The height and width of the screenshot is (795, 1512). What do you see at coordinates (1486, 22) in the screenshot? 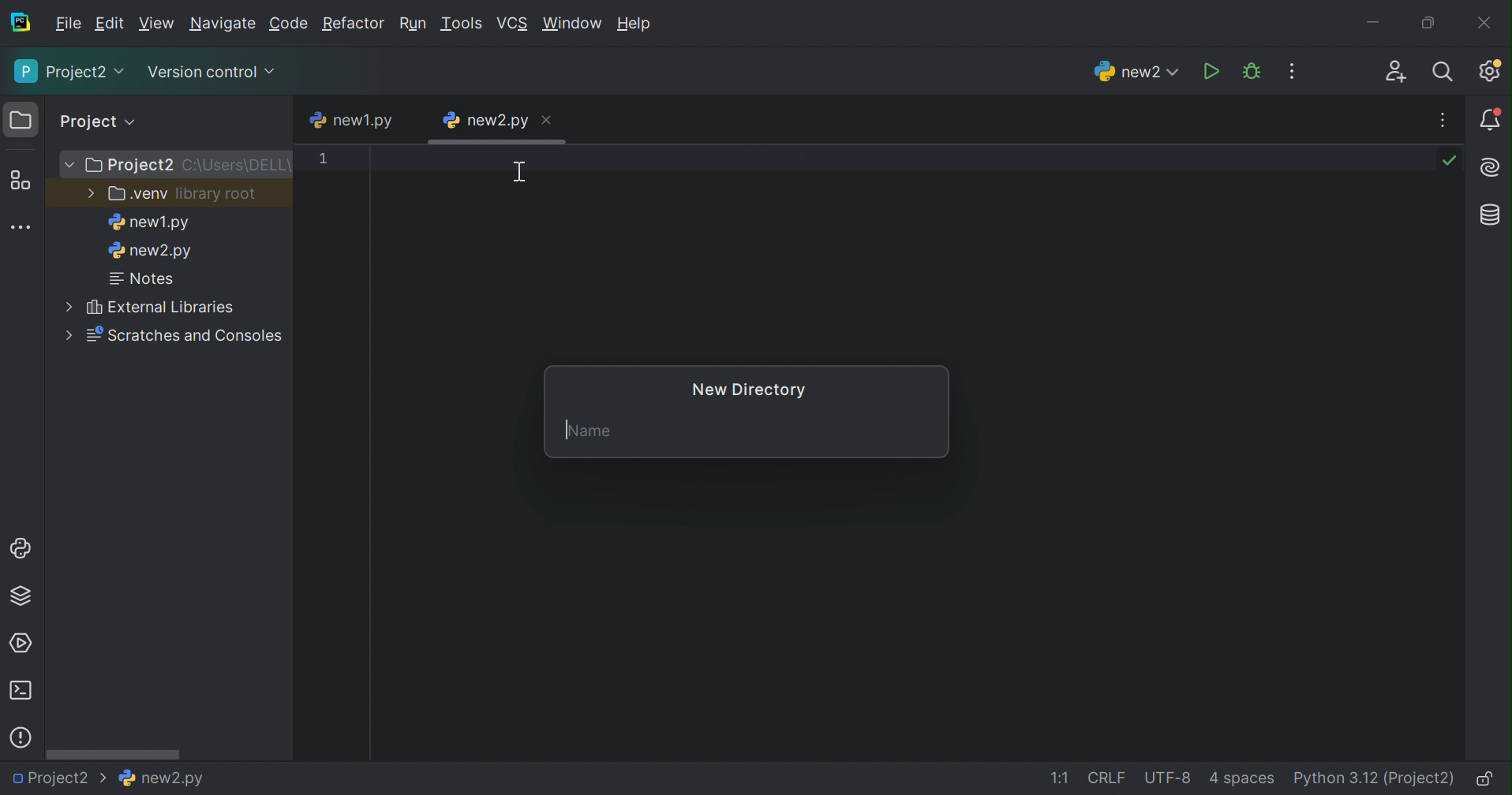
I see `Close` at bounding box center [1486, 22].